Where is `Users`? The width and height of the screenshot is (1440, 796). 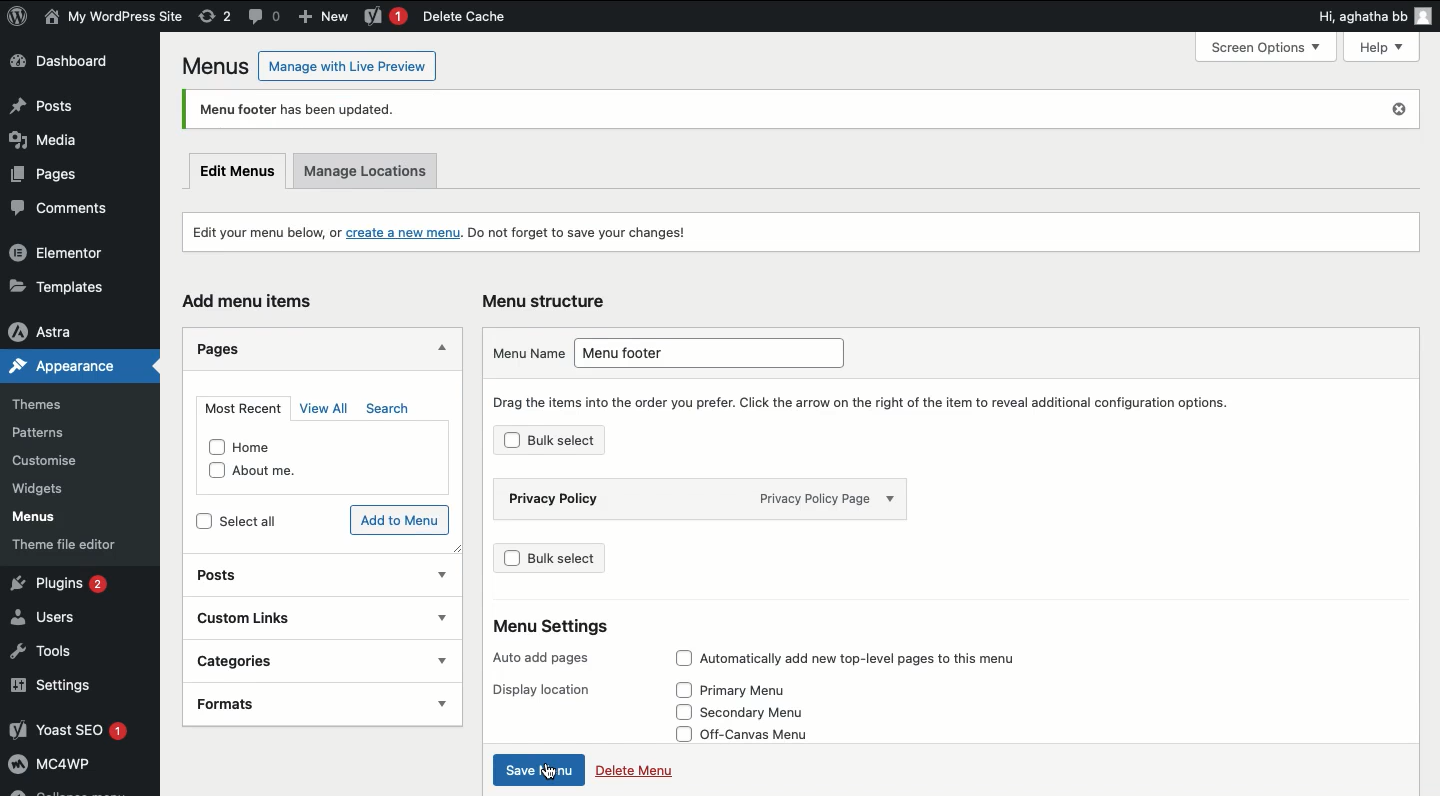 Users is located at coordinates (57, 619).